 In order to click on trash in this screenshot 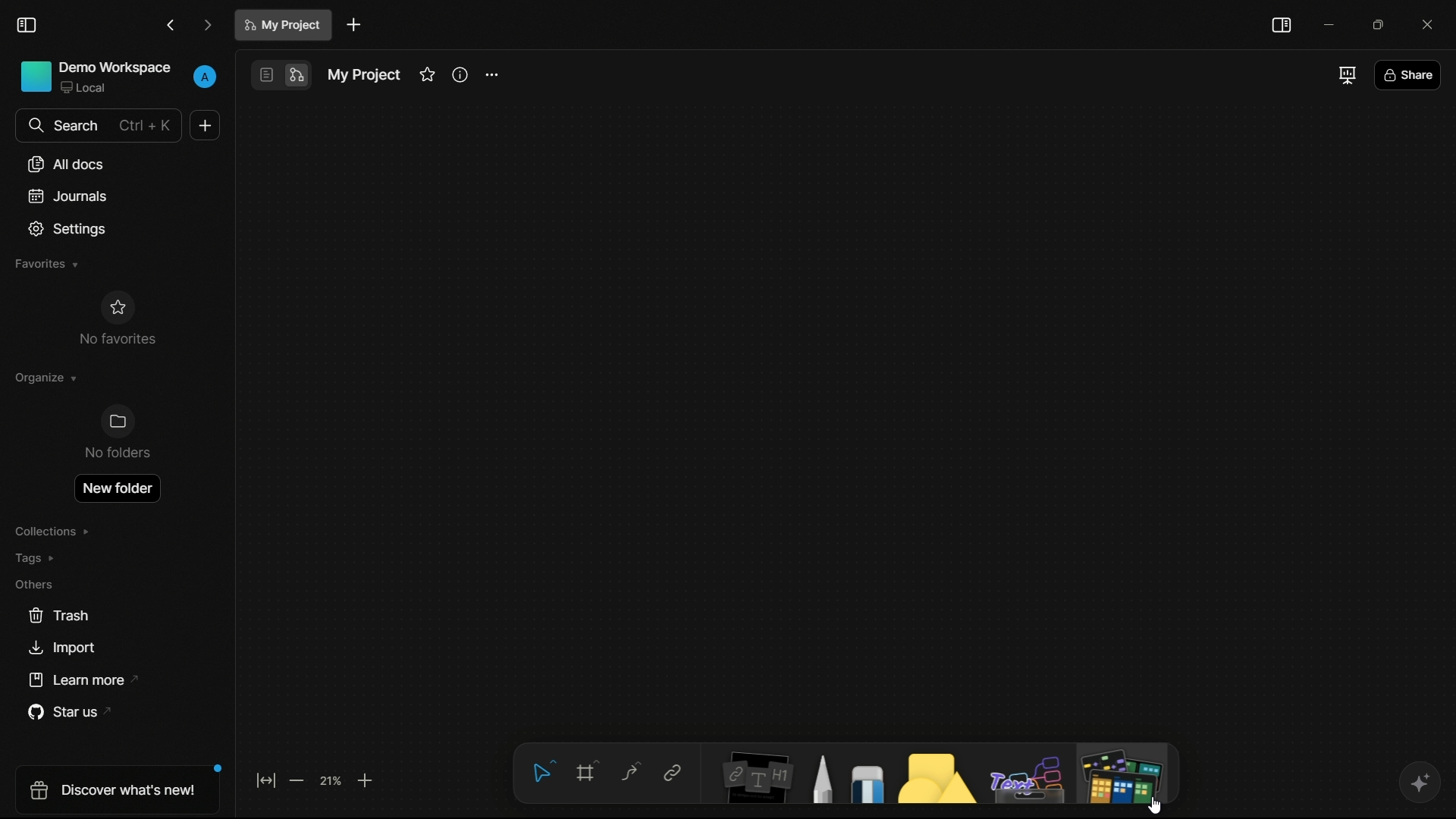, I will do `click(58, 617)`.